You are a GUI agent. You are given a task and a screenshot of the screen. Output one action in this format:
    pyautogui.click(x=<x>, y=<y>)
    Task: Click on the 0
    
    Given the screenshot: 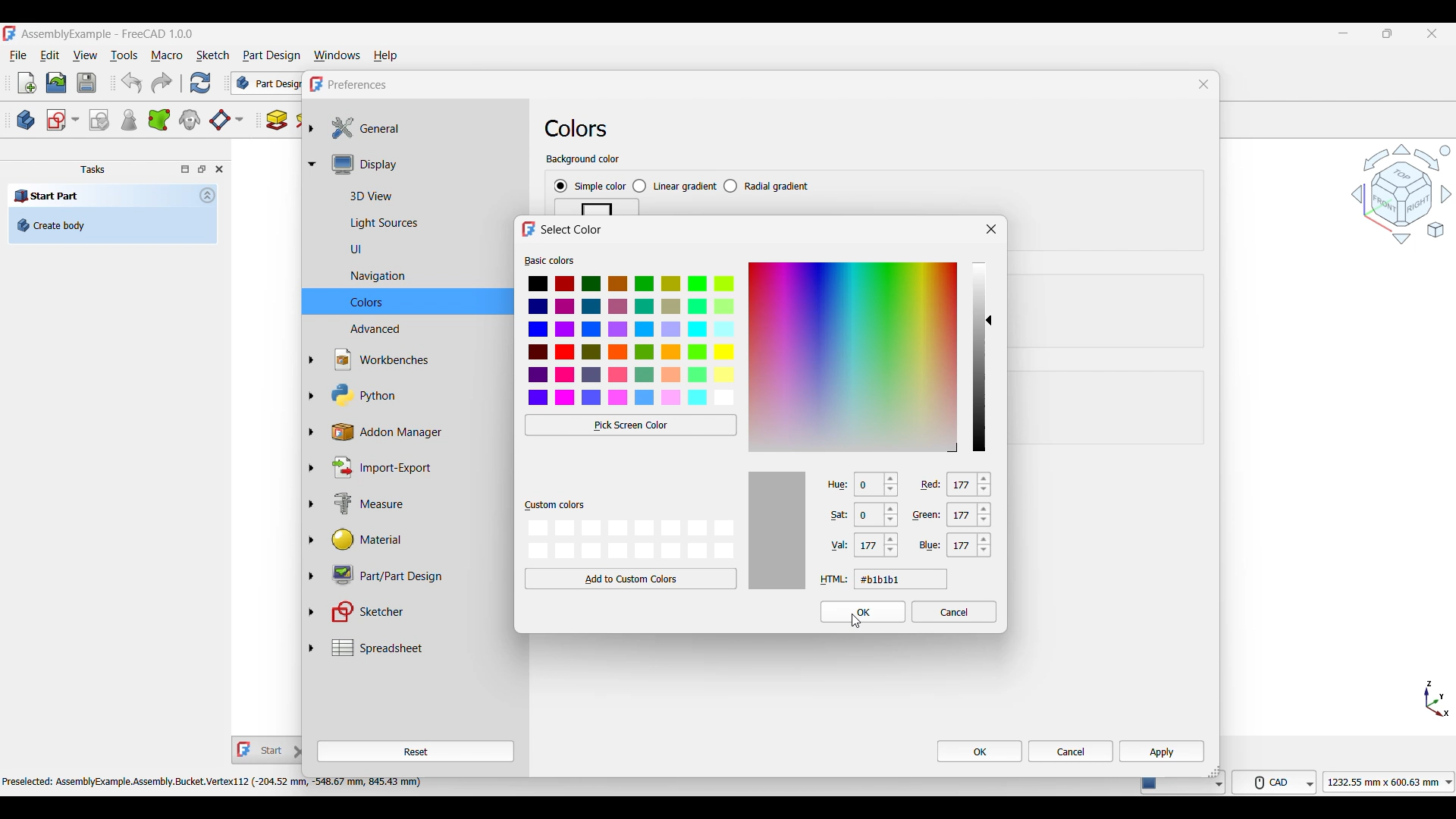 What is the action you would take?
    pyautogui.click(x=877, y=486)
    